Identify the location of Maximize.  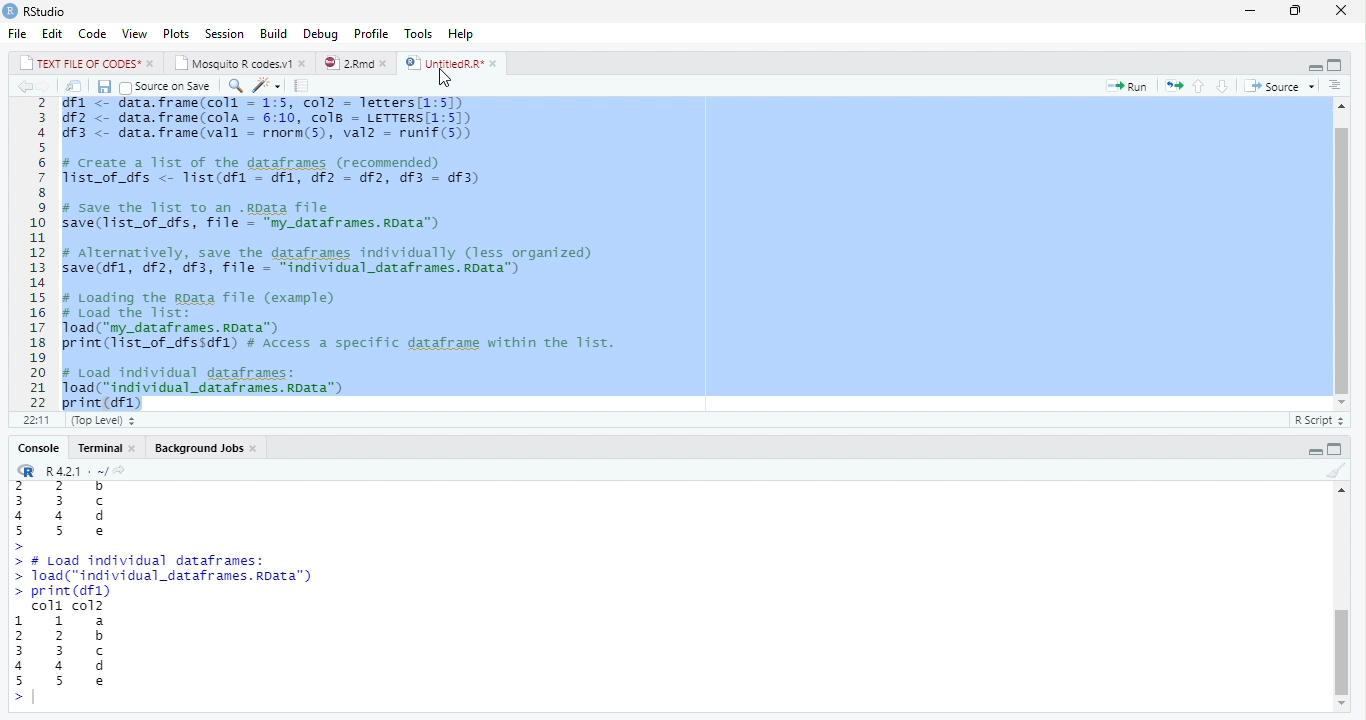
(1298, 10).